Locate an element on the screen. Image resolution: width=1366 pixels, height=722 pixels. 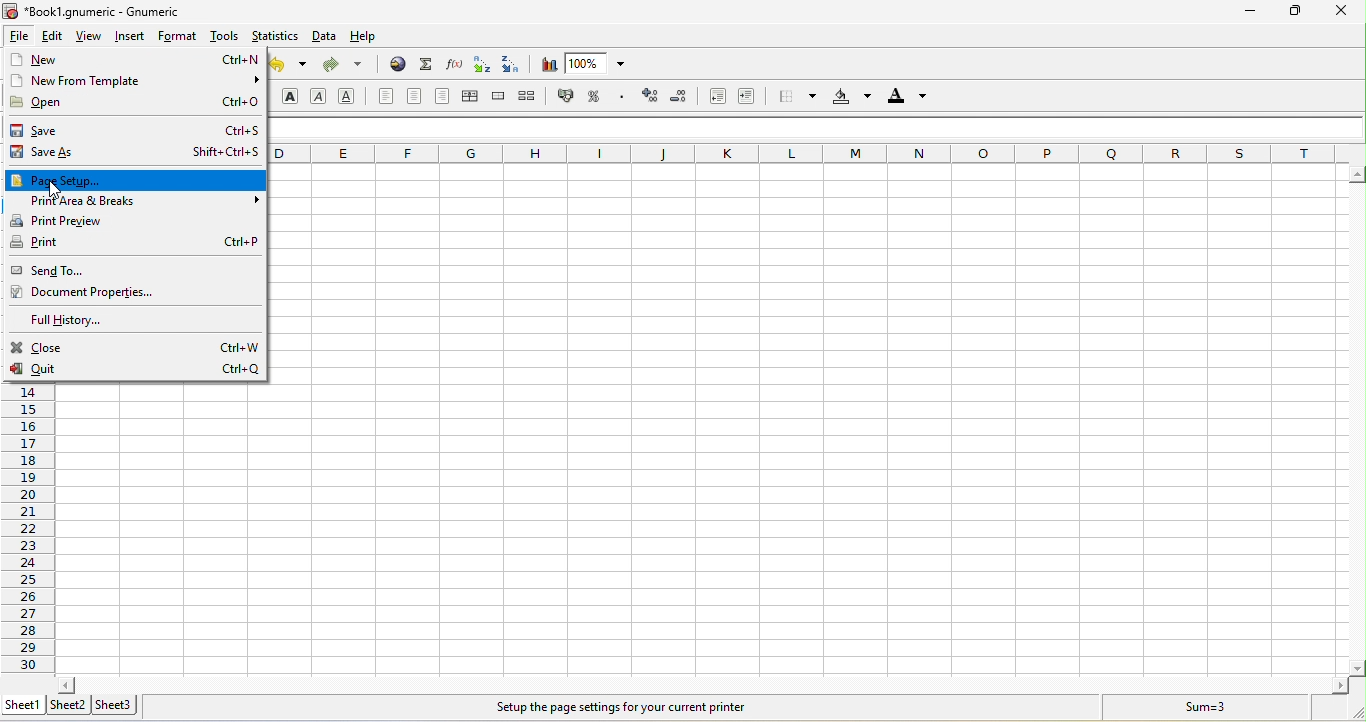
save as is located at coordinates (137, 154).